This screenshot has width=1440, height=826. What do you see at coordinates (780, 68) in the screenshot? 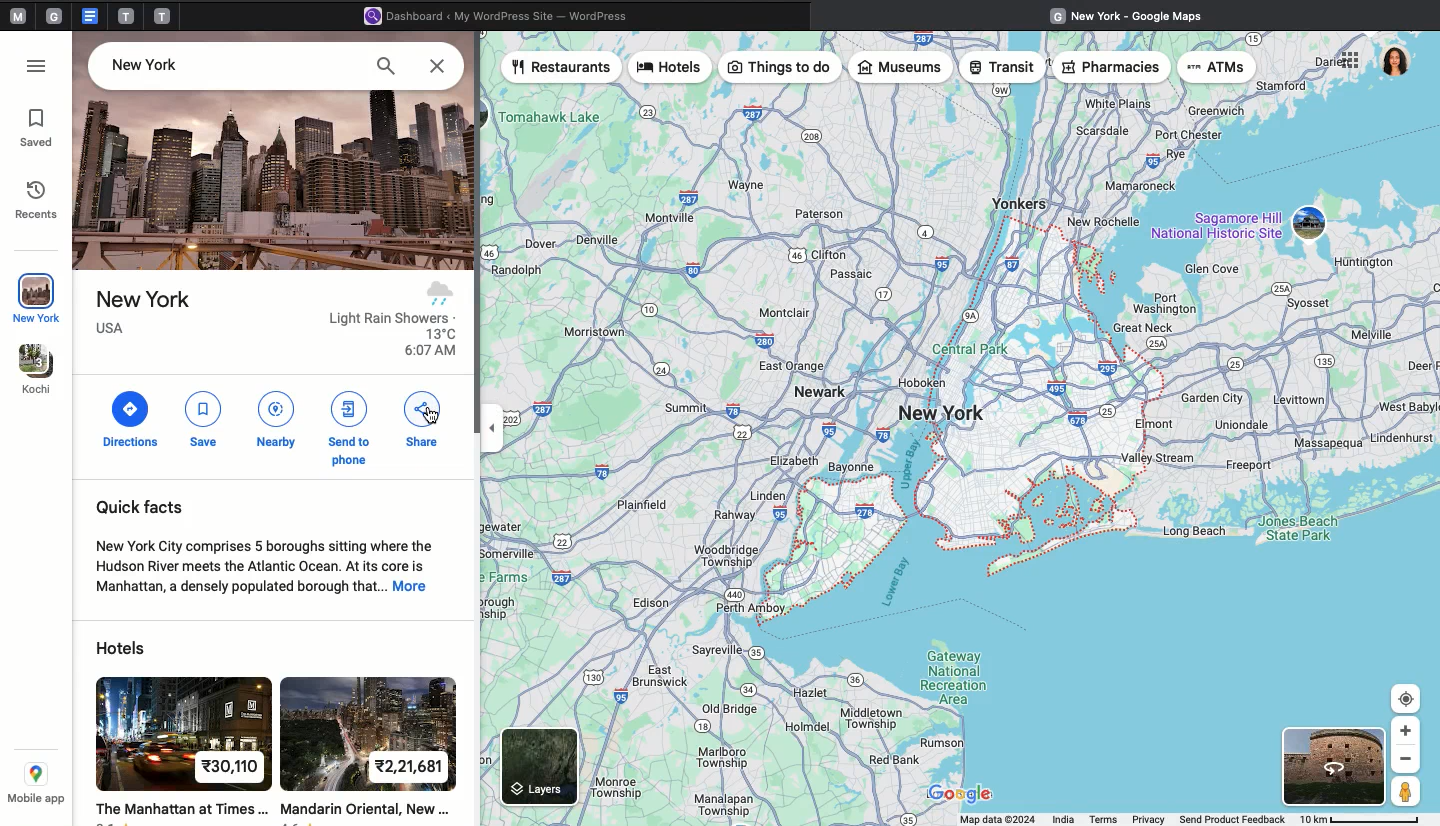
I see `Things to do` at bounding box center [780, 68].